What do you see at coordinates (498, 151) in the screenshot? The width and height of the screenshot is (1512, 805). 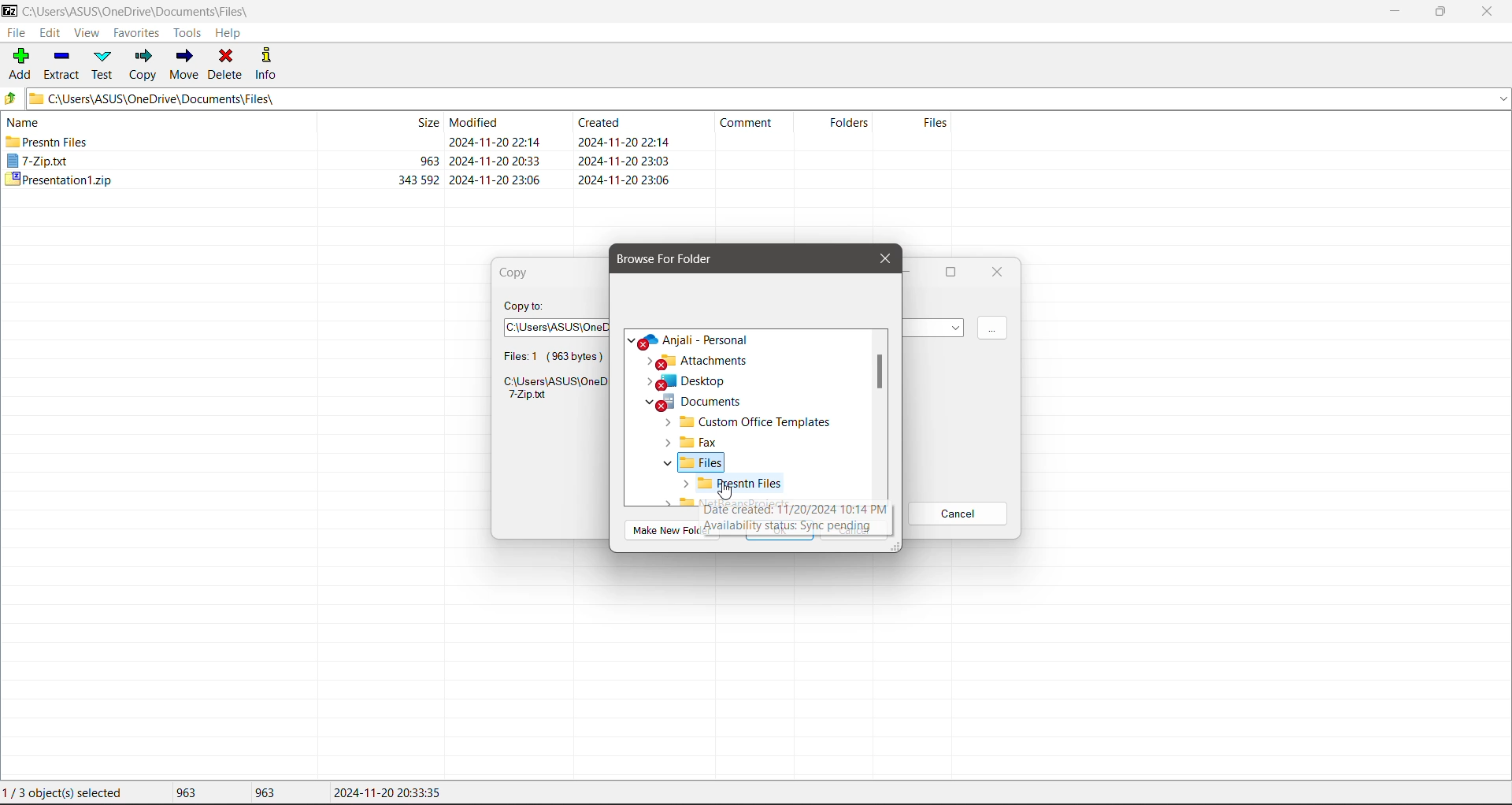 I see `File Modified Date` at bounding box center [498, 151].